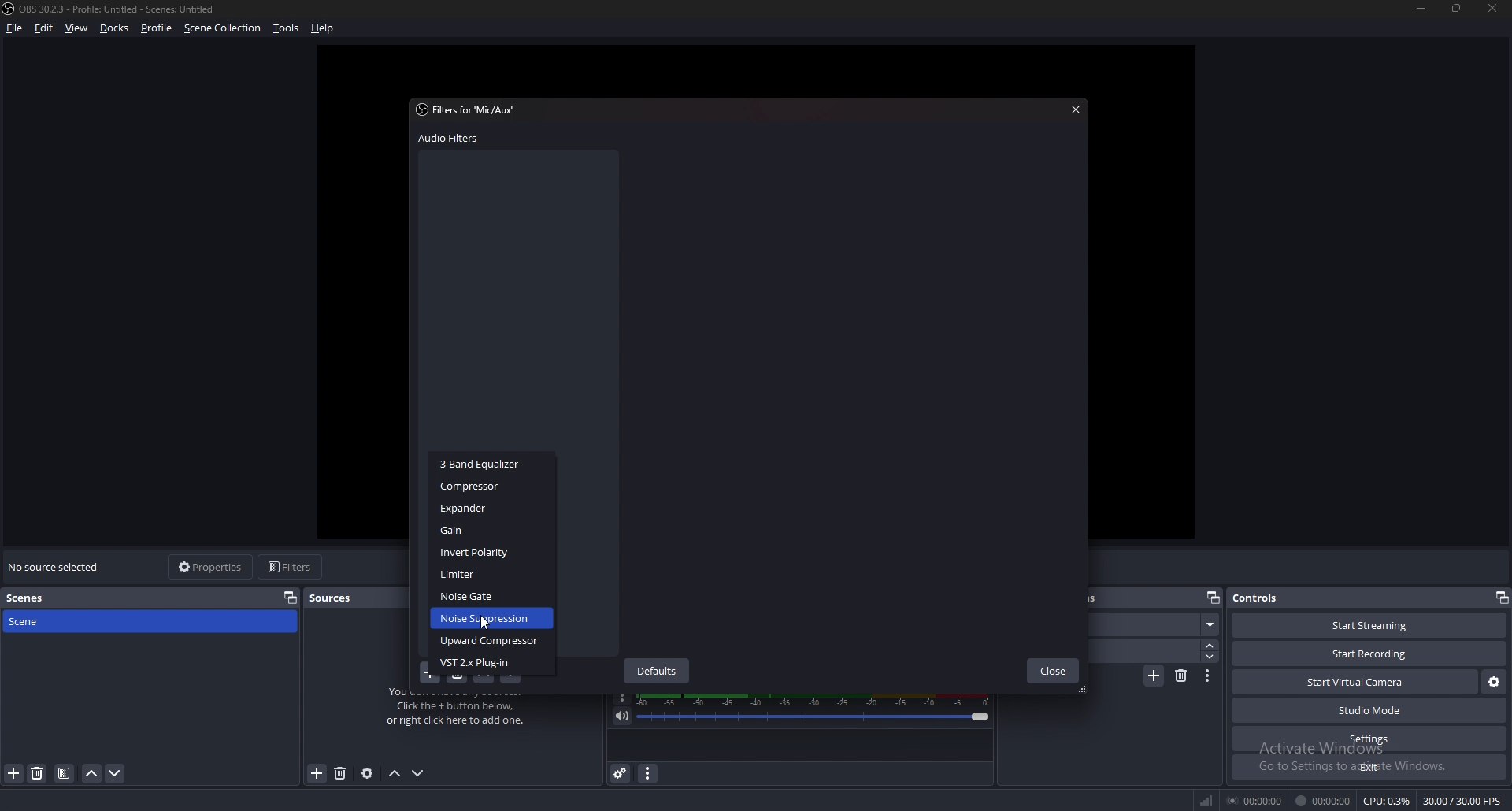 The image size is (1512, 811). I want to click on cursor, so click(482, 622).